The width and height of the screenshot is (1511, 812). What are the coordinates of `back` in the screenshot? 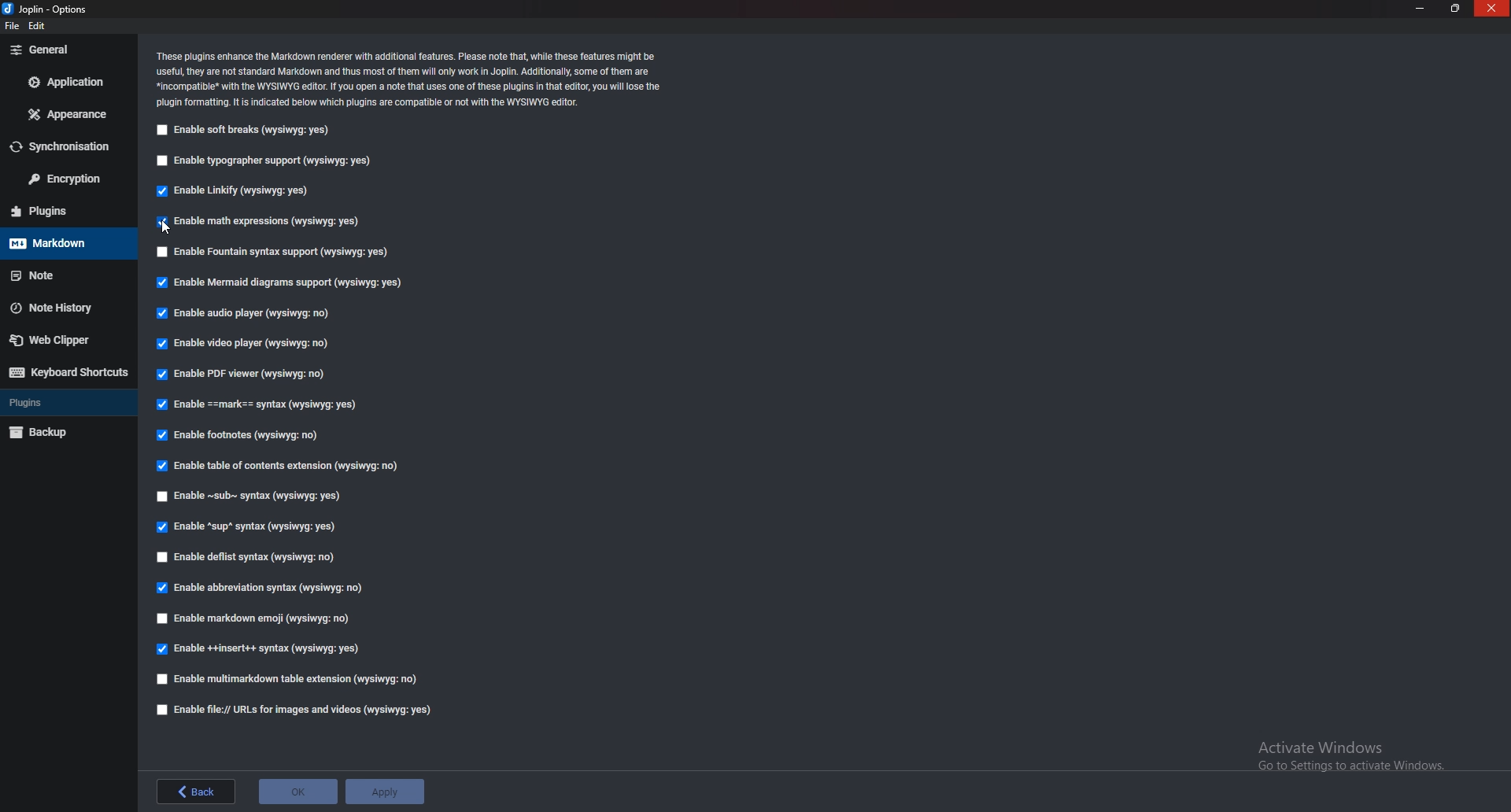 It's located at (194, 792).